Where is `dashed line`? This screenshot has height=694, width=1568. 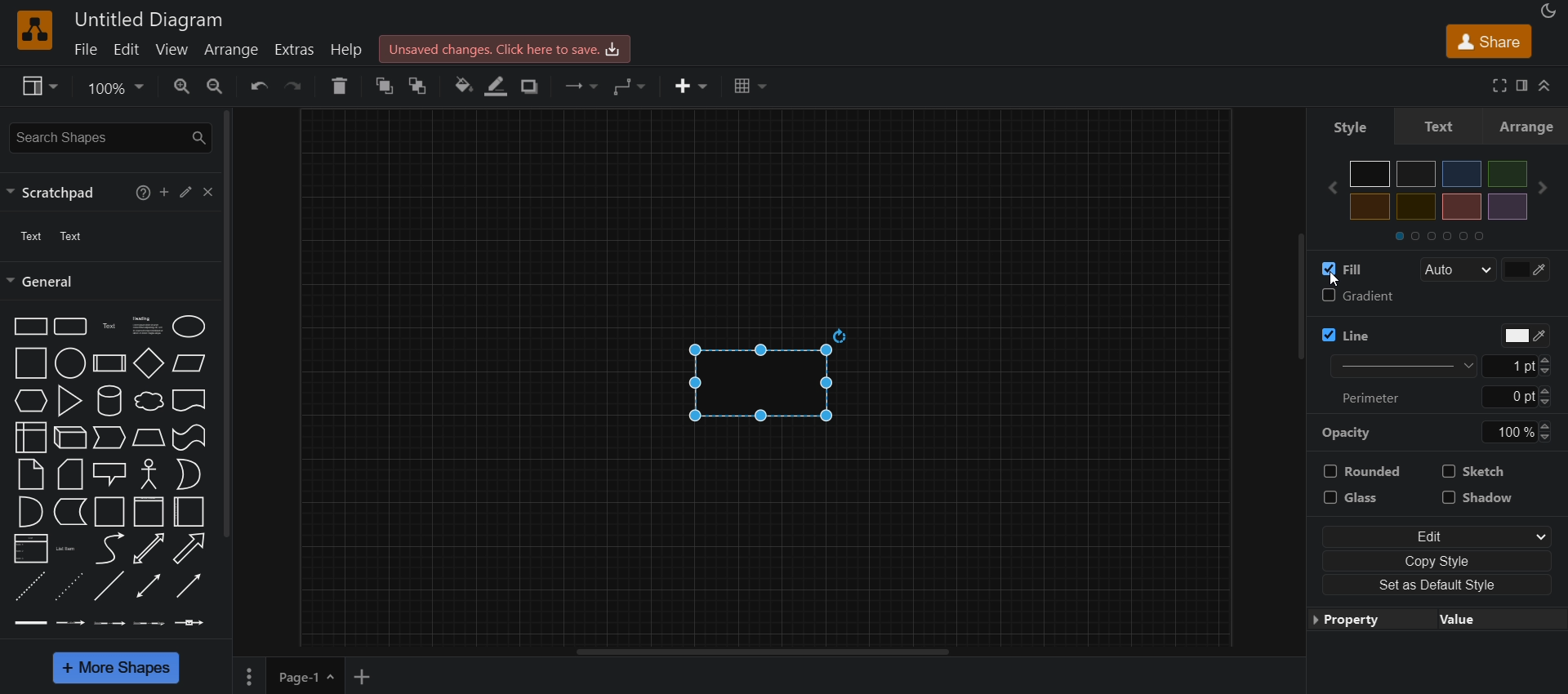 dashed line is located at coordinates (30, 589).